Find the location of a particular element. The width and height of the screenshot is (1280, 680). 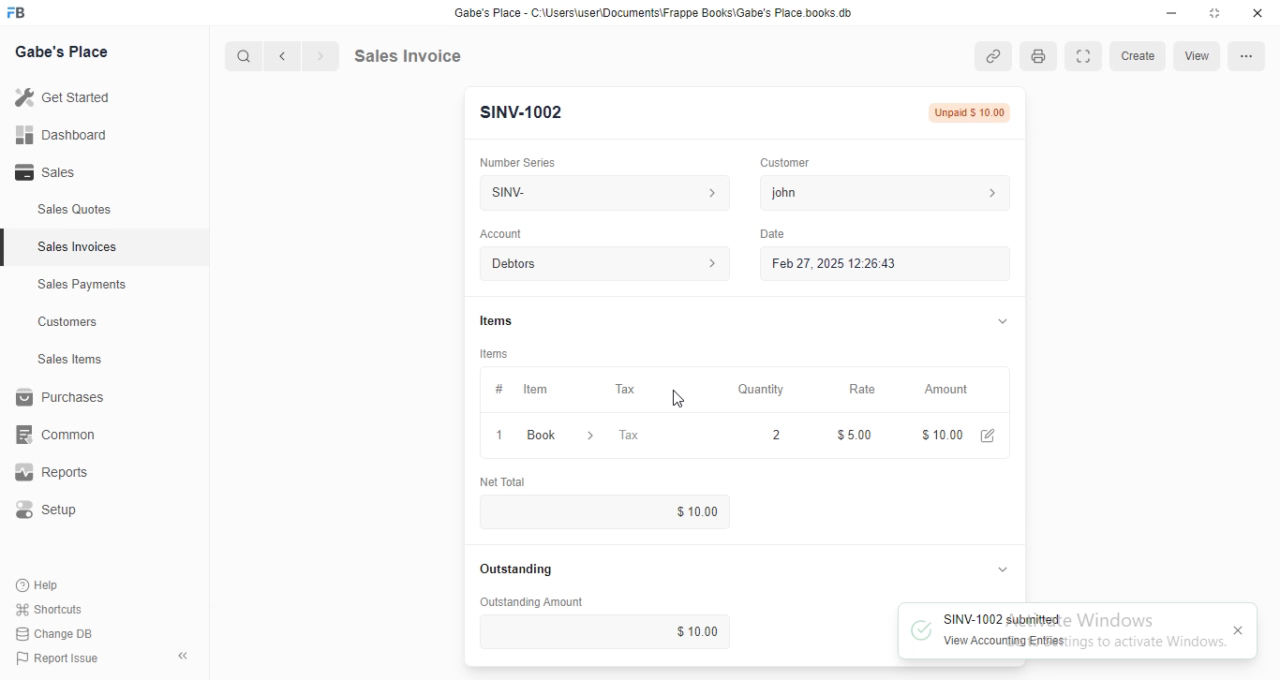

Minimize is located at coordinates (1169, 14).